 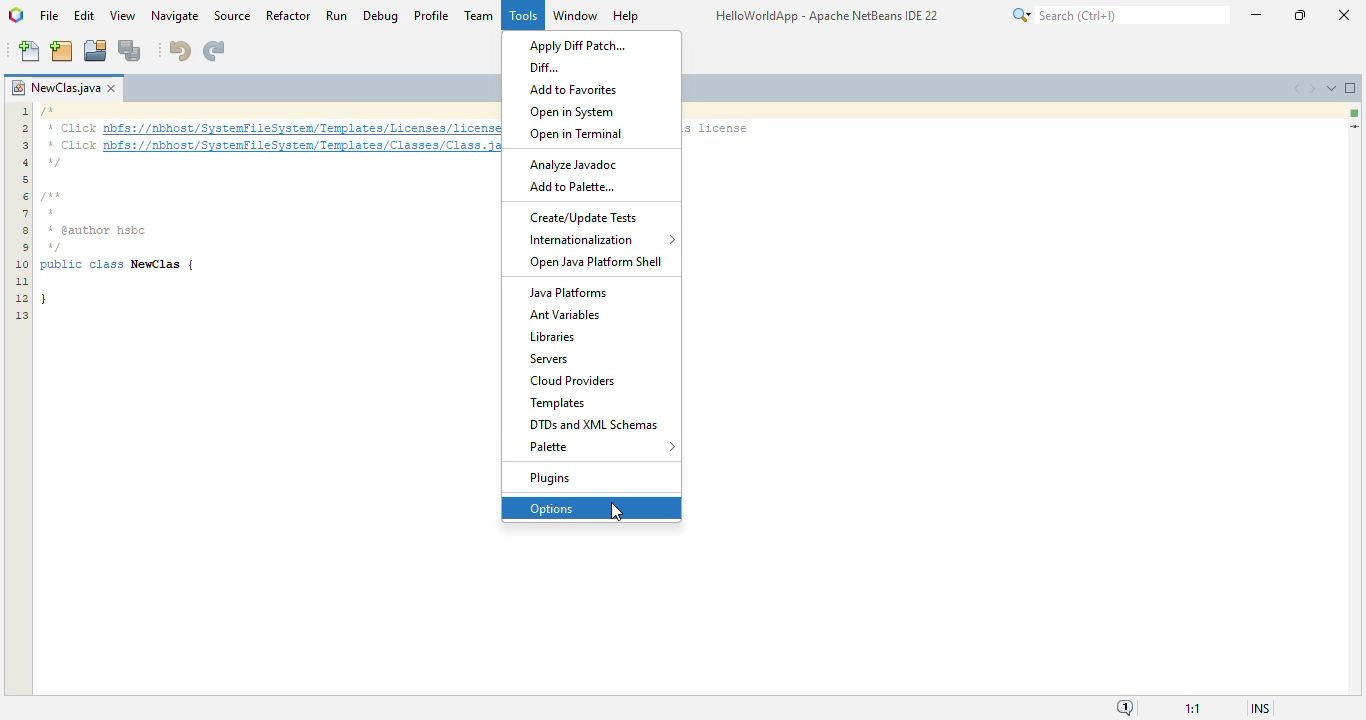 I want to click on notifications, so click(x=1124, y=708).